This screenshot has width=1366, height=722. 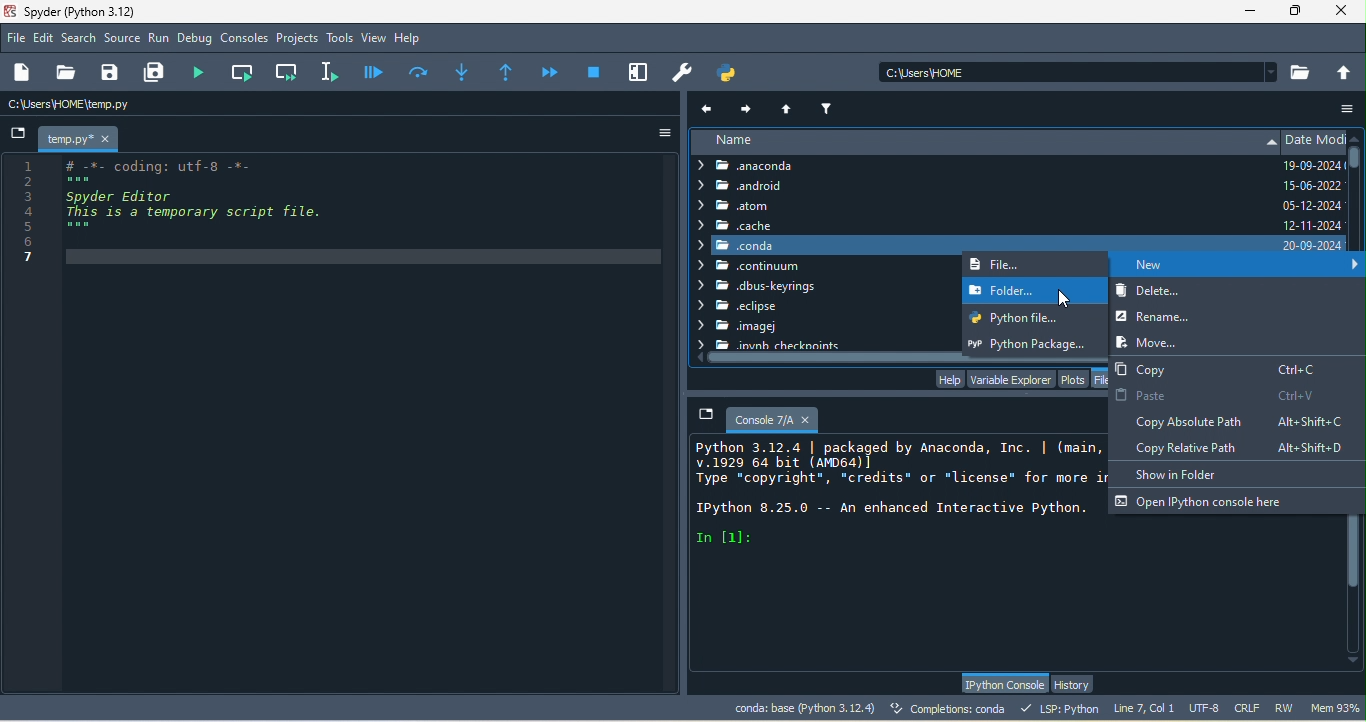 I want to click on search, so click(x=80, y=38).